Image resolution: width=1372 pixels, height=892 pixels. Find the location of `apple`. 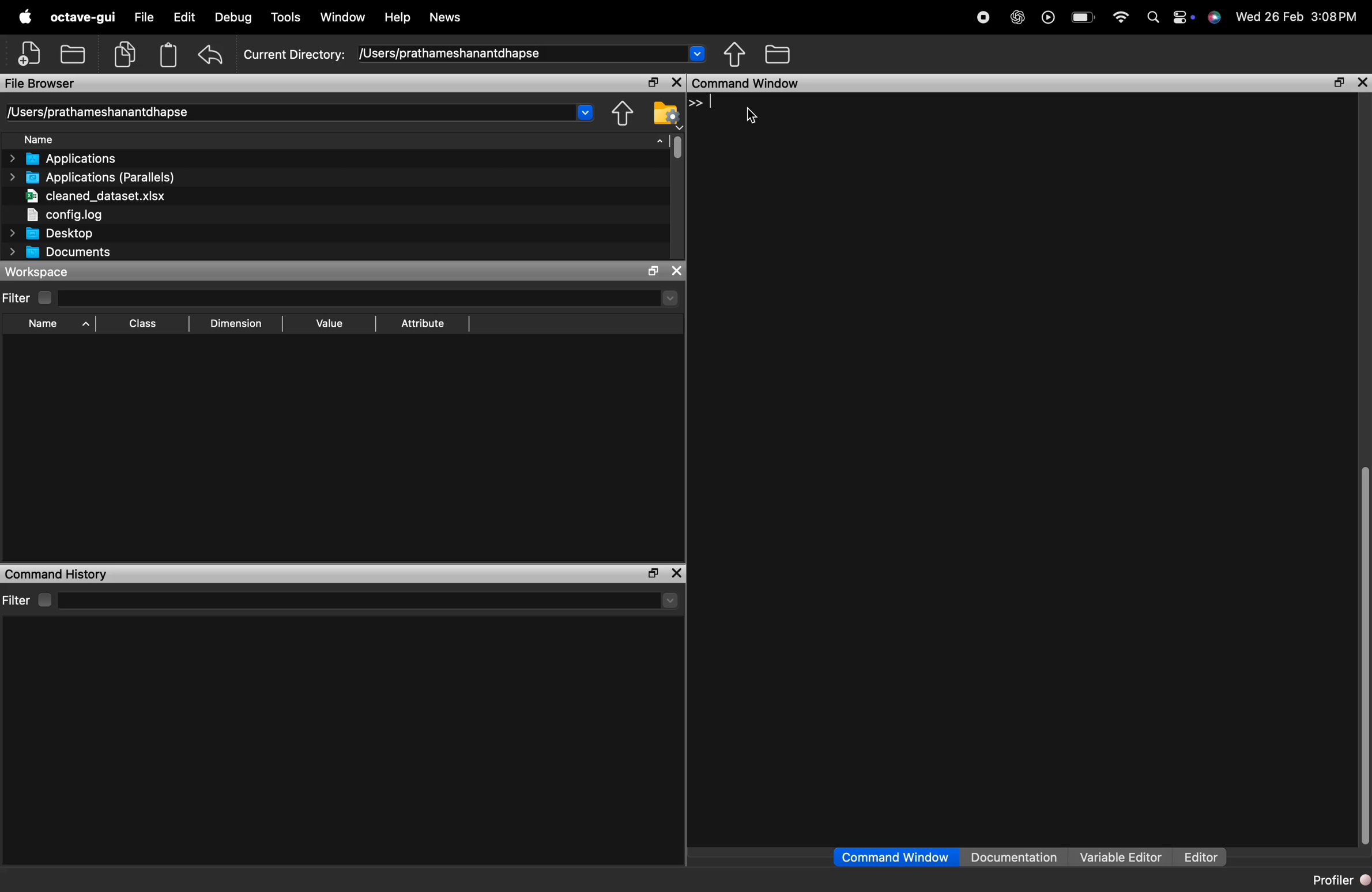

apple is located at coordinates (25, 17).